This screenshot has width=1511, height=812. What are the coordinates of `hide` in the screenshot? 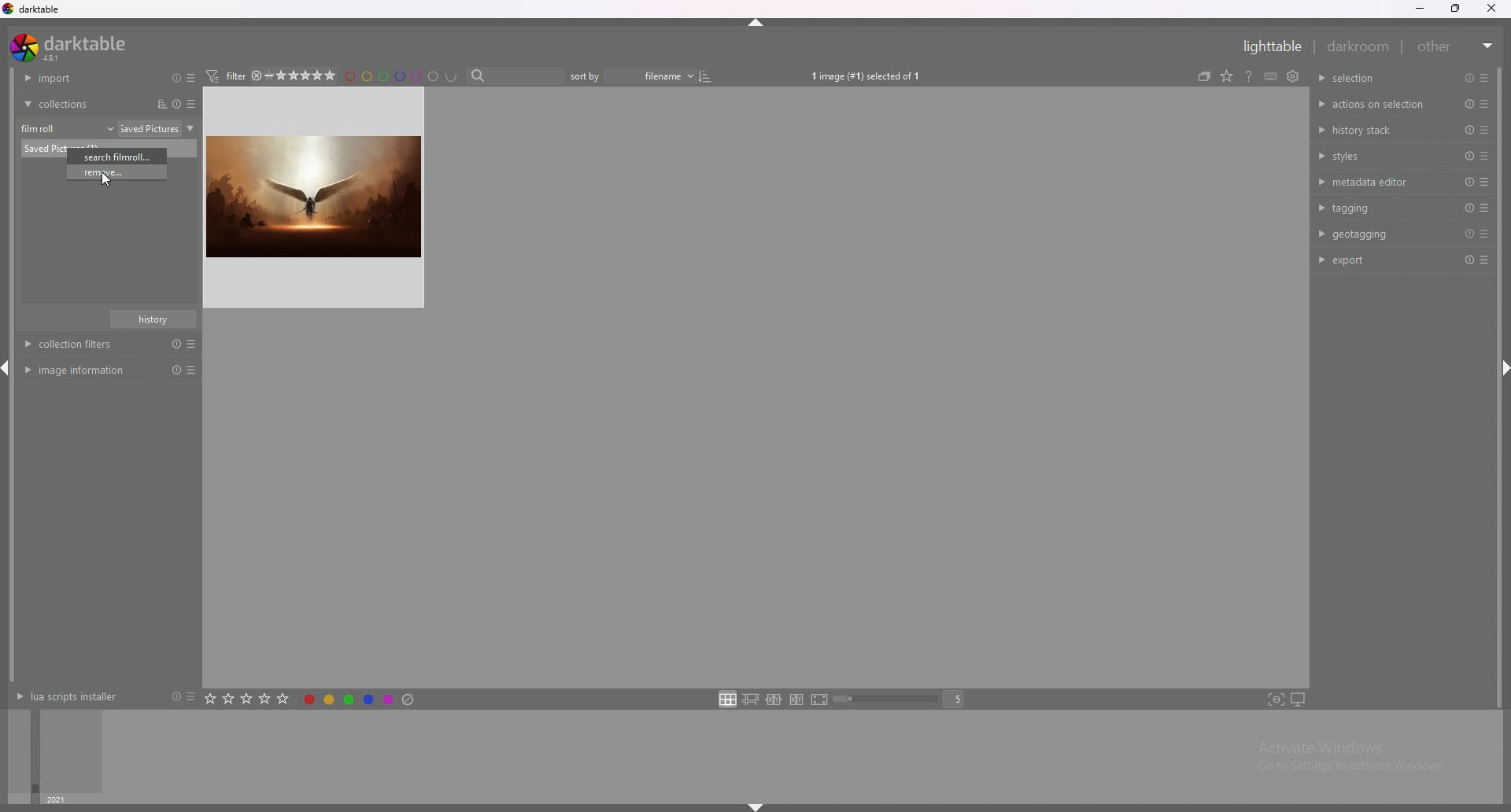 It's located at (752, 806).